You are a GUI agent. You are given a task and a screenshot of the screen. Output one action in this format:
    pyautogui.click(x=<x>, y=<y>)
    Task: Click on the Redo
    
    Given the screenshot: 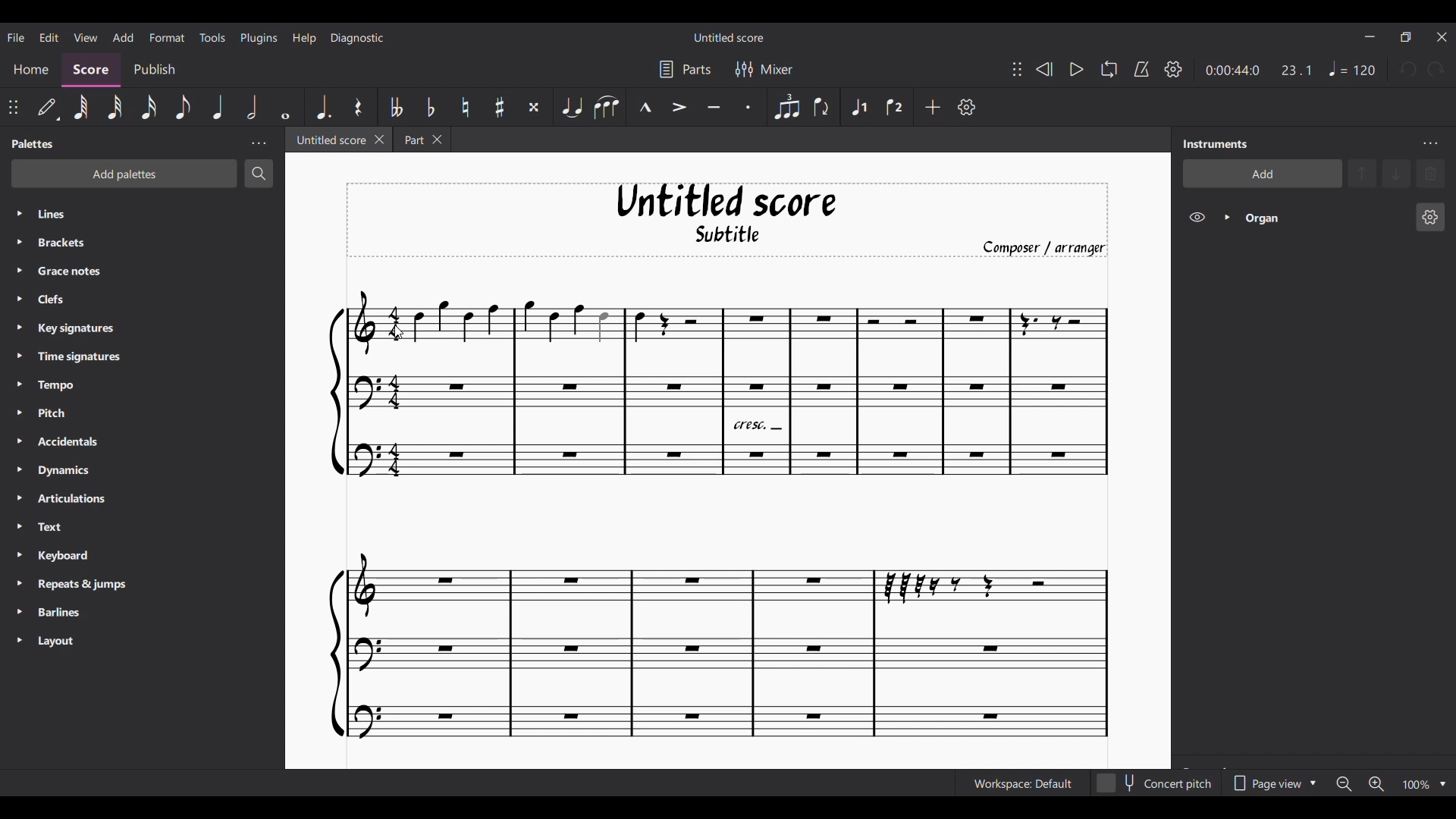 What is the action you would take?
    pyautogui.click(x=1436, y=69)
    